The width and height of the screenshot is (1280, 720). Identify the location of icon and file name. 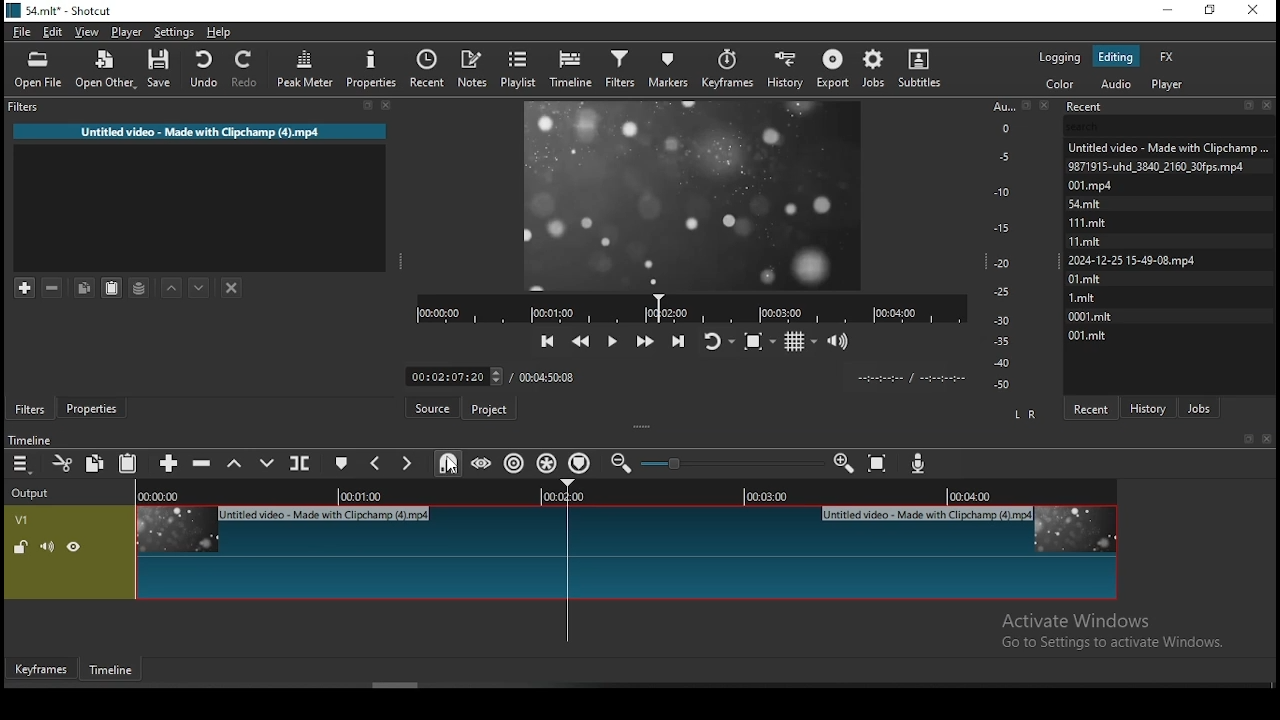
(61, 10).